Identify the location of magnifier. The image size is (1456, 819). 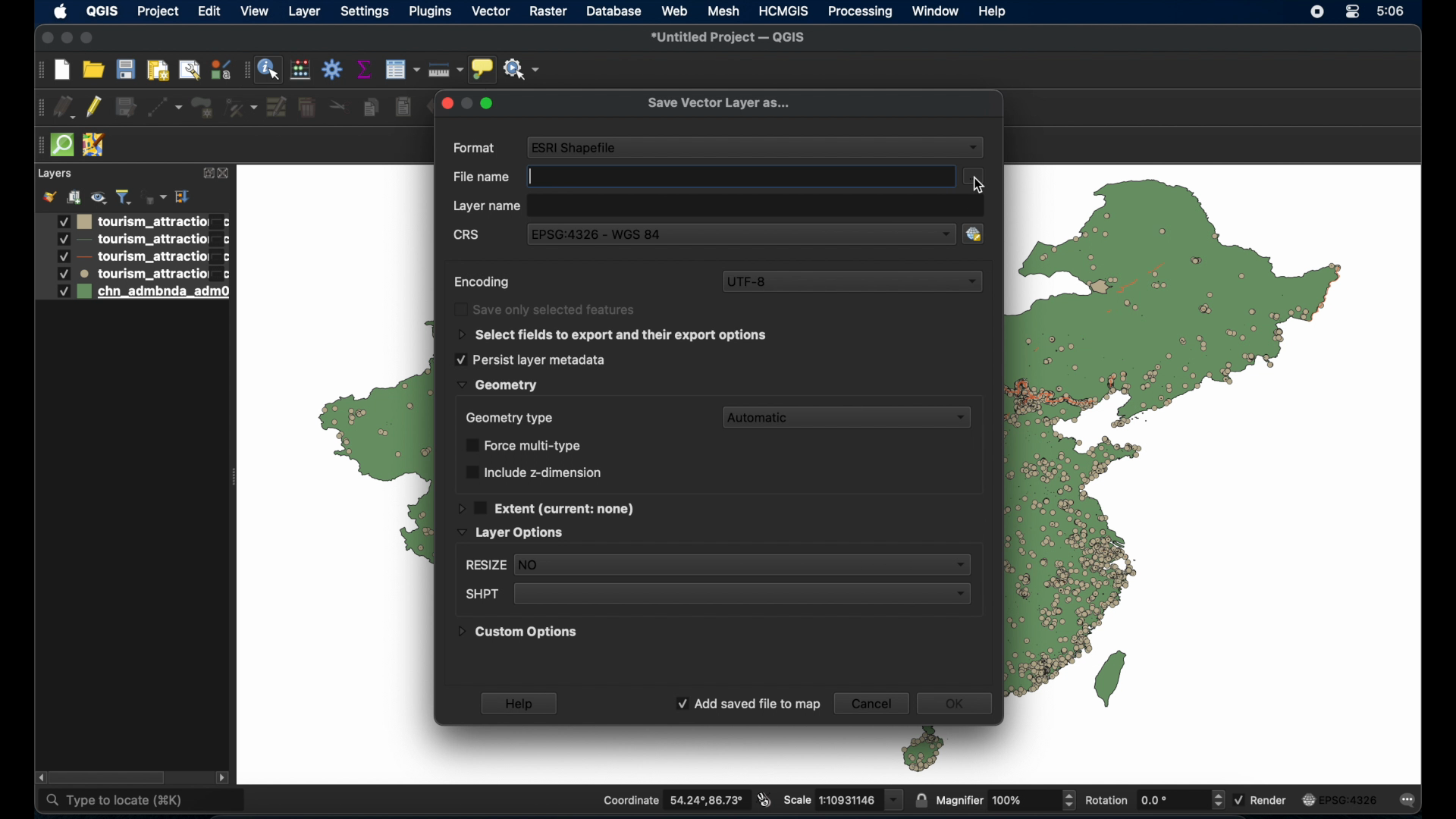
(1005, 799).